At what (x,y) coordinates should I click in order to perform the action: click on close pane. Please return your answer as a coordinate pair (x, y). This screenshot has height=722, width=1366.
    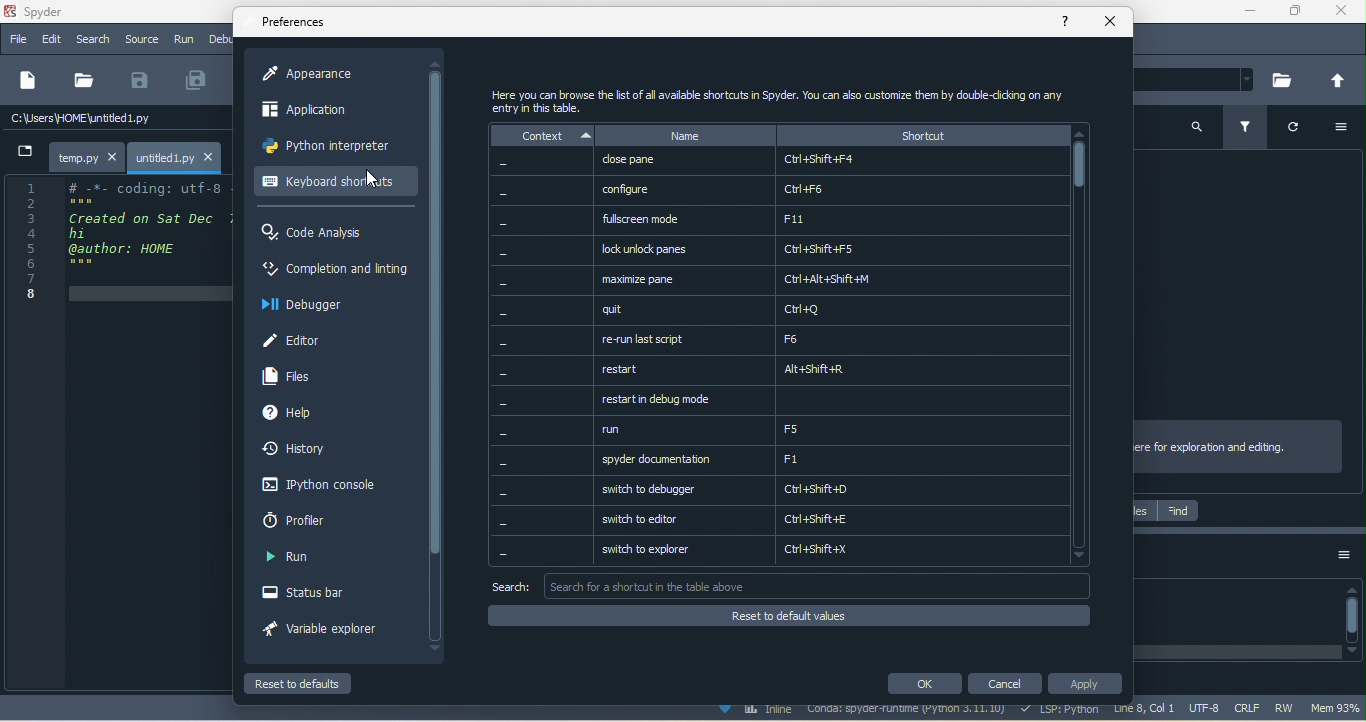
    Looking at the image, I should click on (826, 161).